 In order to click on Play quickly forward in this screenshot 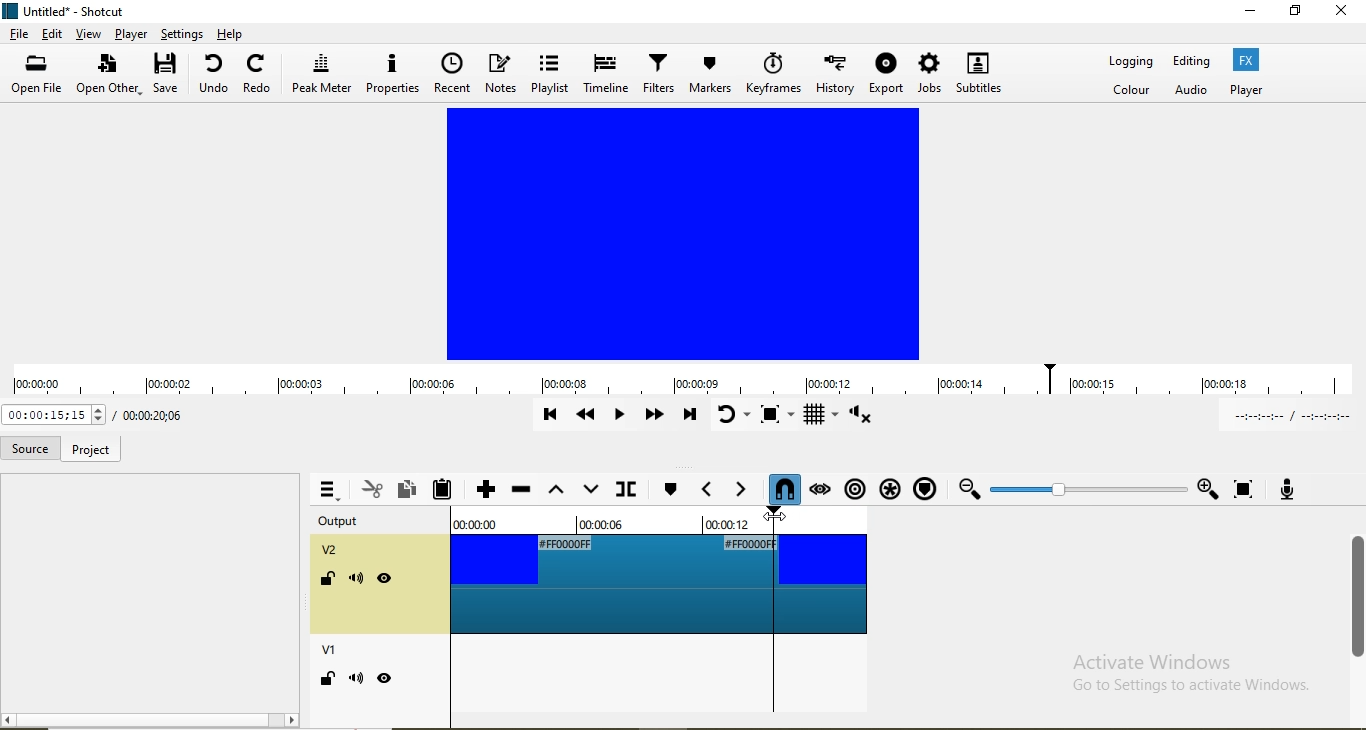, I will do `click(653, 418)`.